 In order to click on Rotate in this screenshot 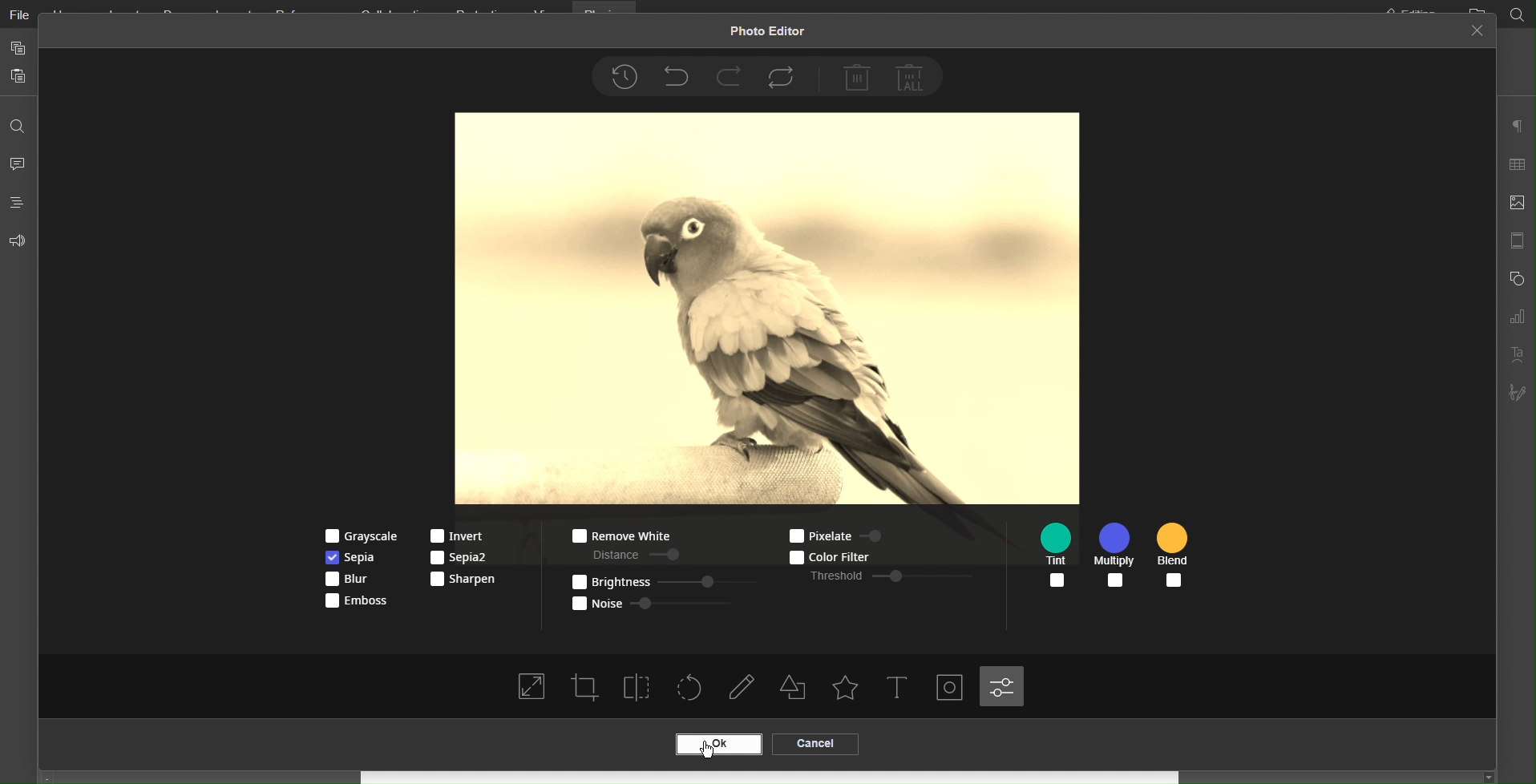, I will do `click(691, 689)`.